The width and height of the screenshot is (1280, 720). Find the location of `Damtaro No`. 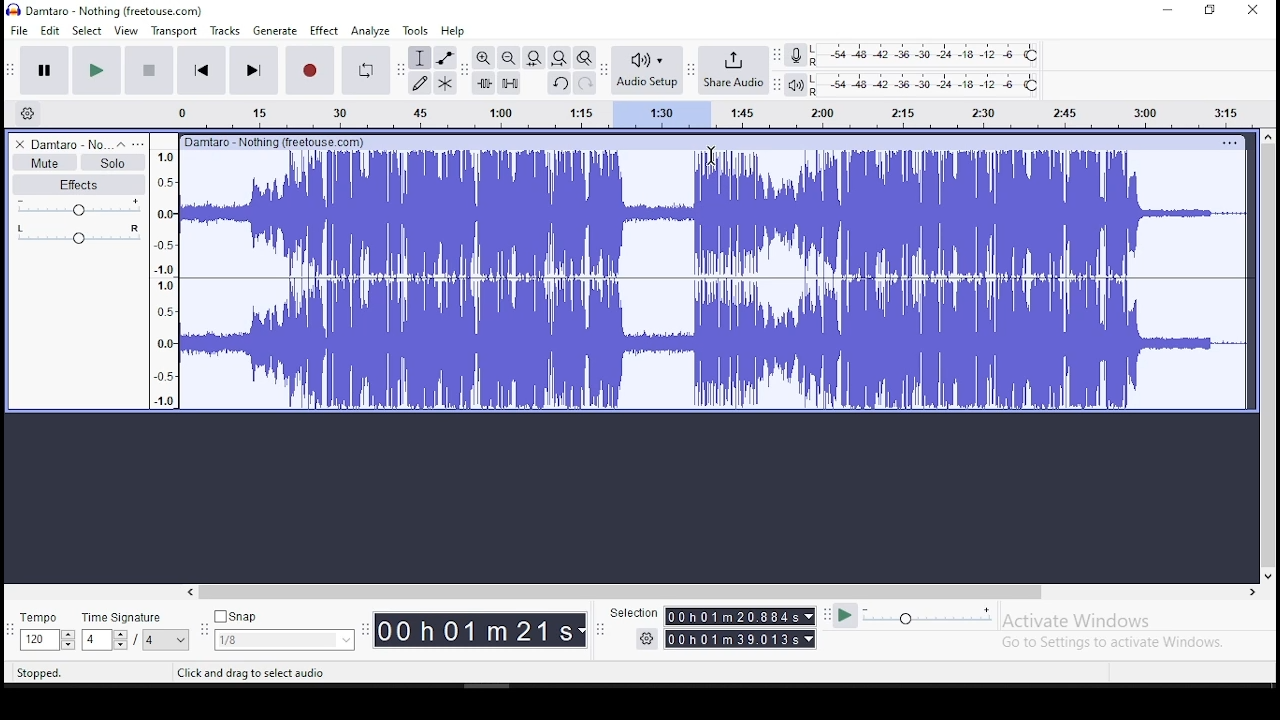

Damtaro No is located at coordinates (70, 144).